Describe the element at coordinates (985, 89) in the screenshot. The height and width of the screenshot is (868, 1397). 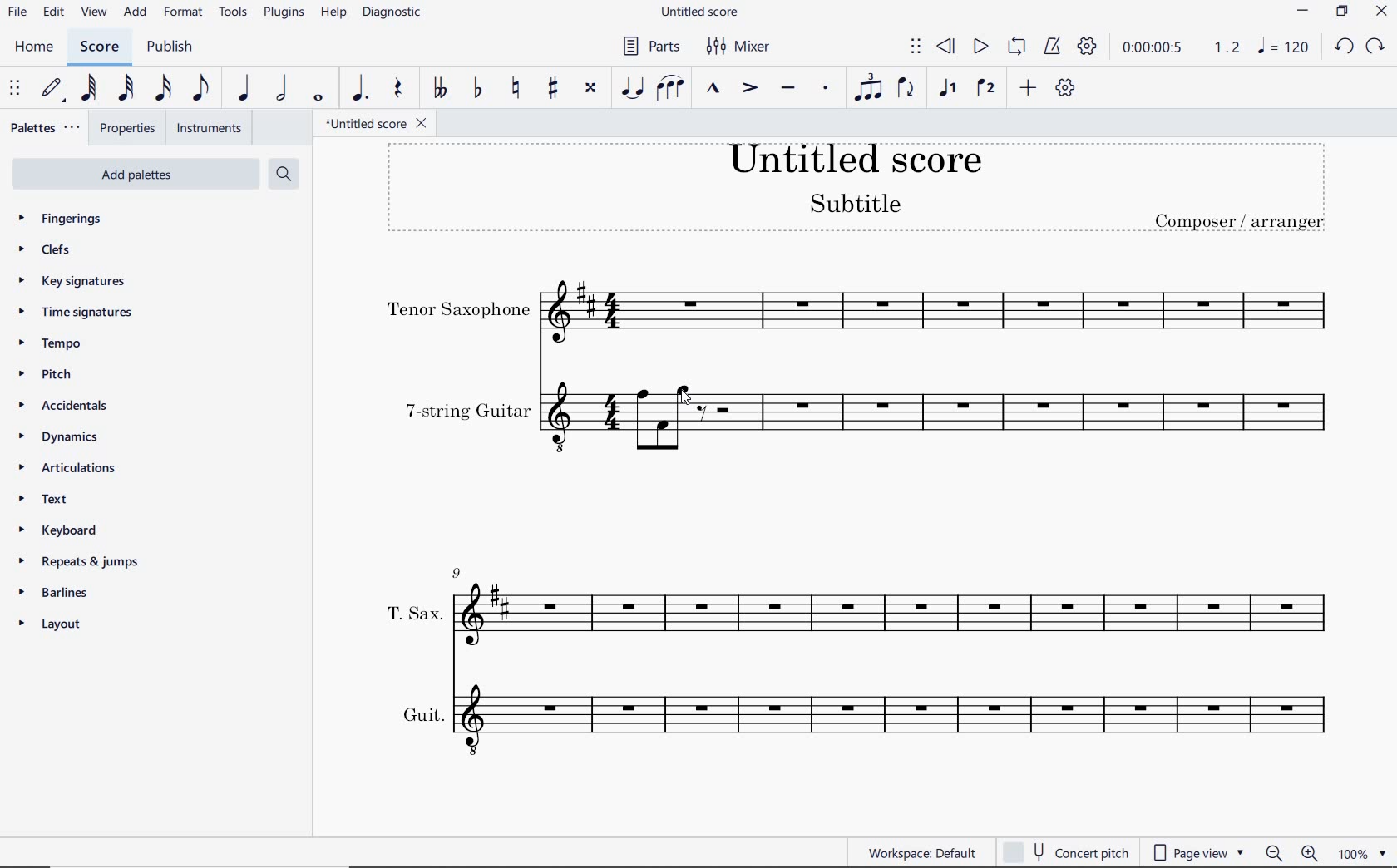
I see `VOICE 2` at that location.